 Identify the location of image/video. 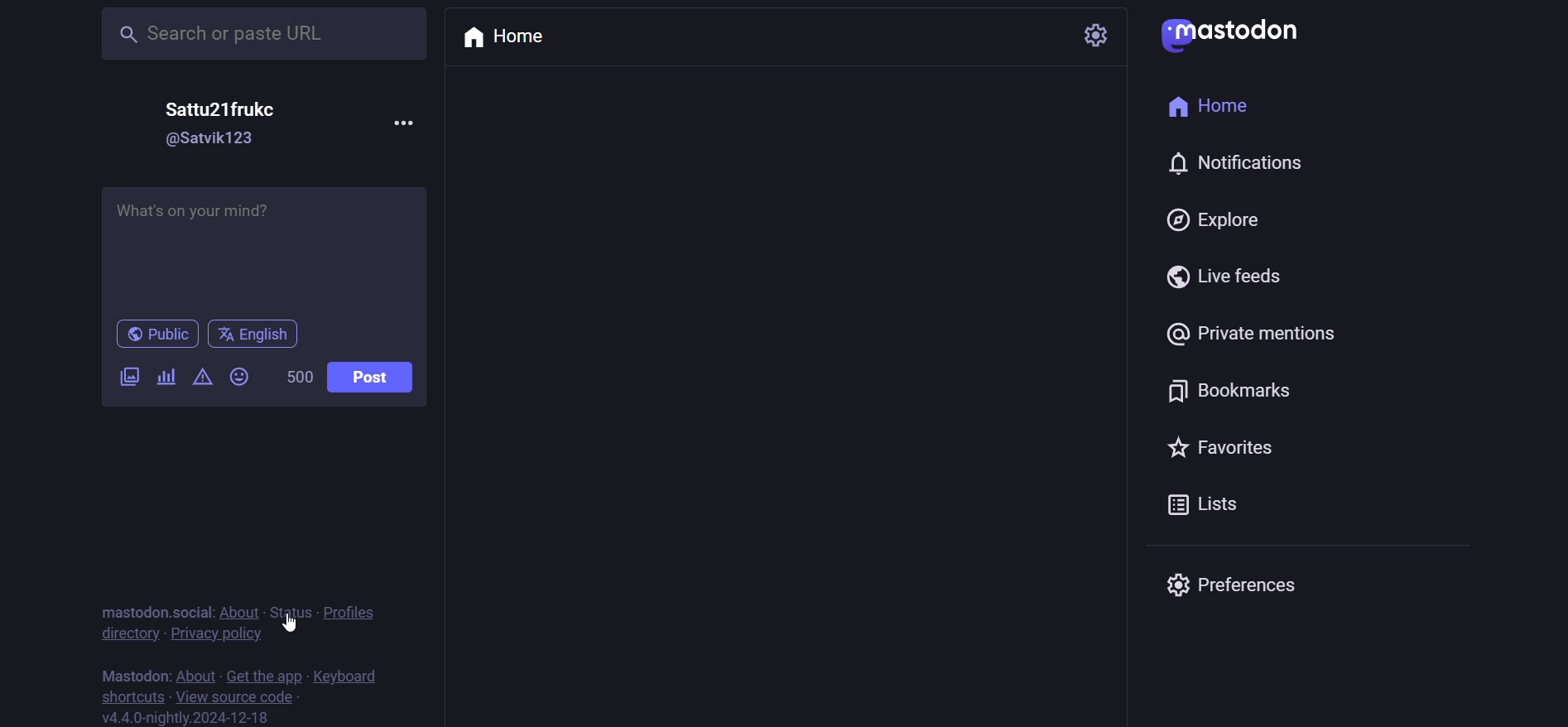
(127, 375).